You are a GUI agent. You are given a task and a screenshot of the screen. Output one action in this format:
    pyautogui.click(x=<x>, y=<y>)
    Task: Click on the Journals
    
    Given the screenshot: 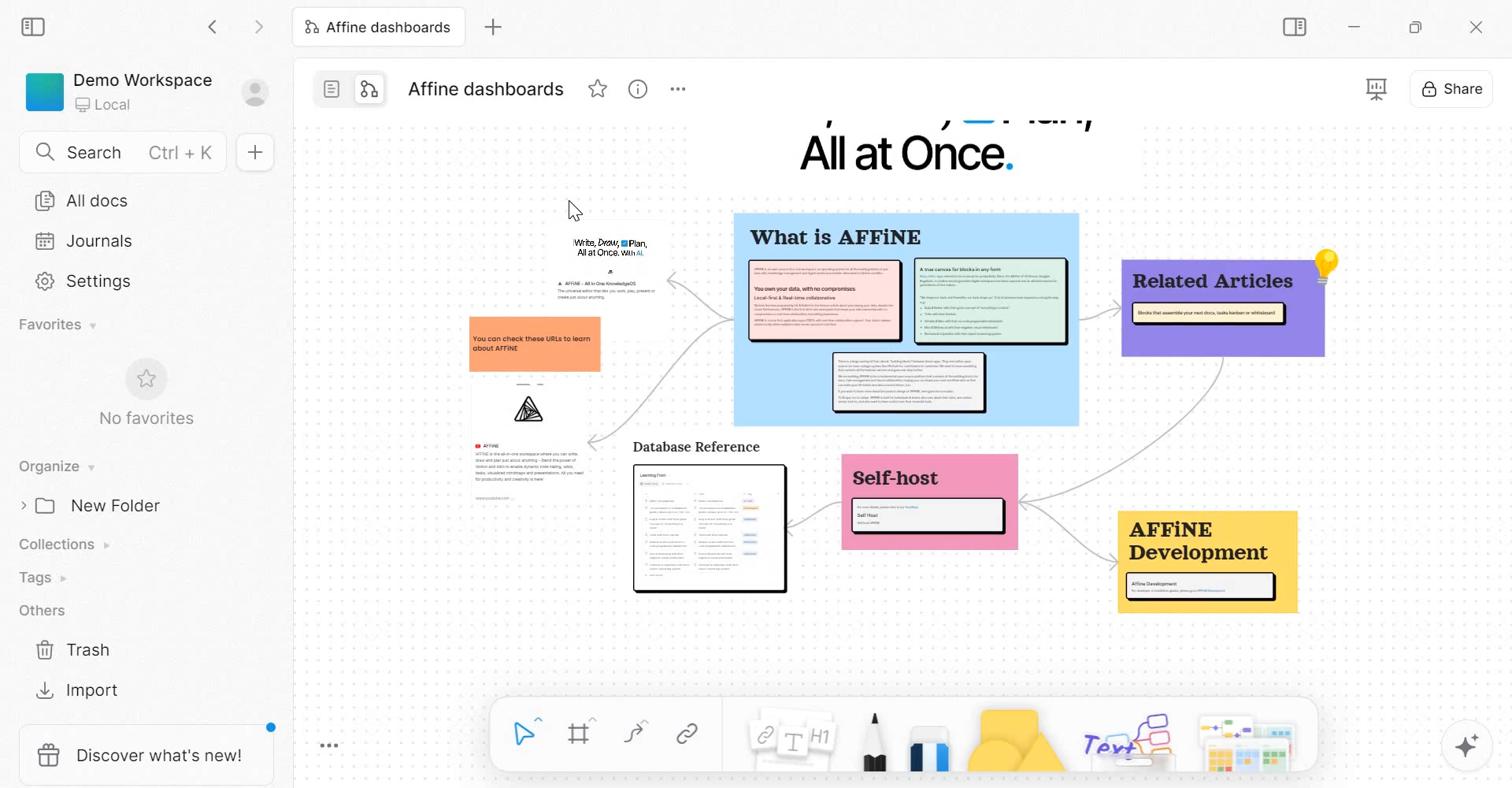 What is the action you would take?
    pyautogui.click(x=95, y=243)
    